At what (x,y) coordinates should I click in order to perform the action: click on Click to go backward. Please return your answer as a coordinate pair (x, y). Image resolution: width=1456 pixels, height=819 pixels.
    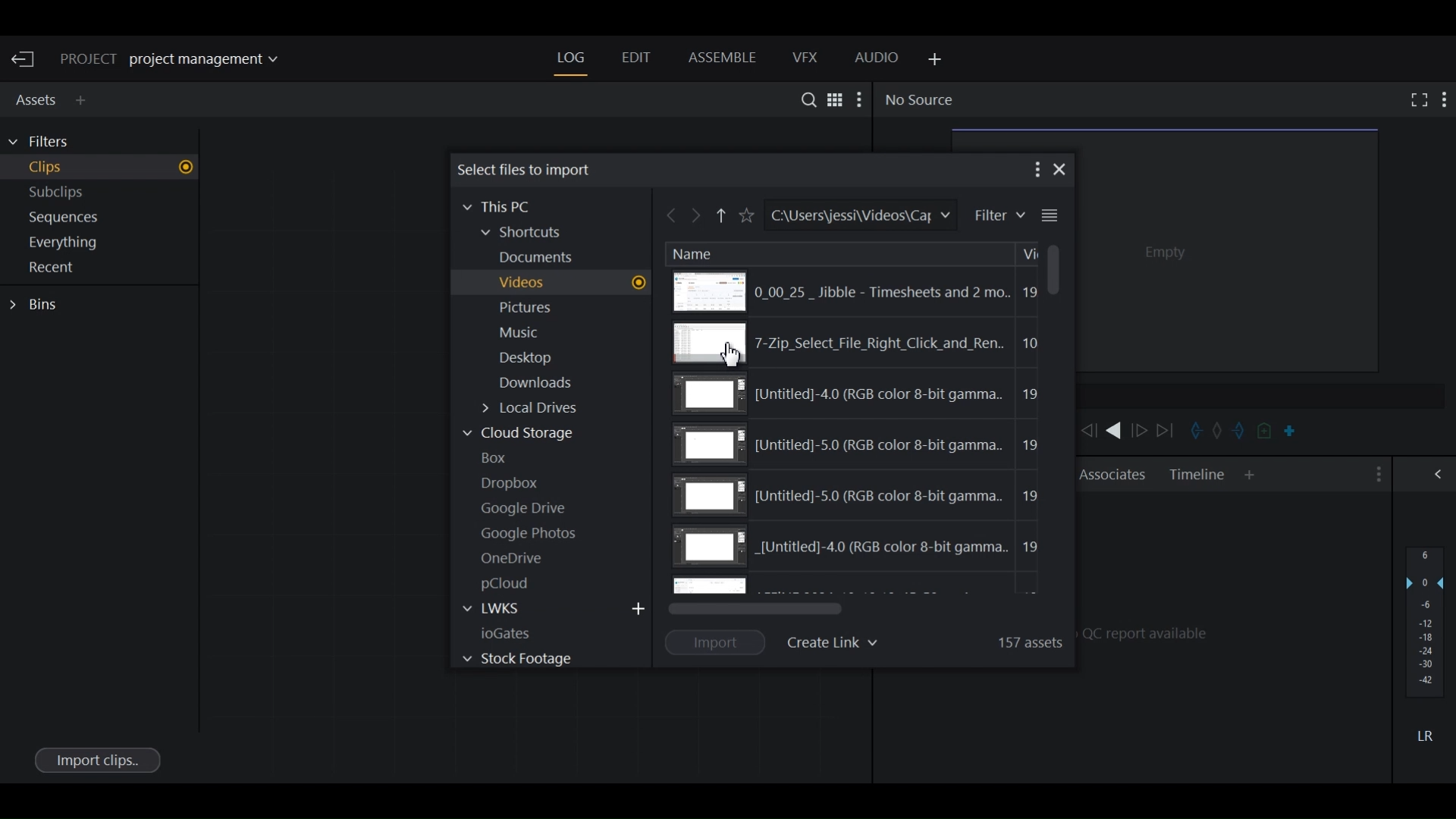
    Looking at the image, I should click on (672, 218).